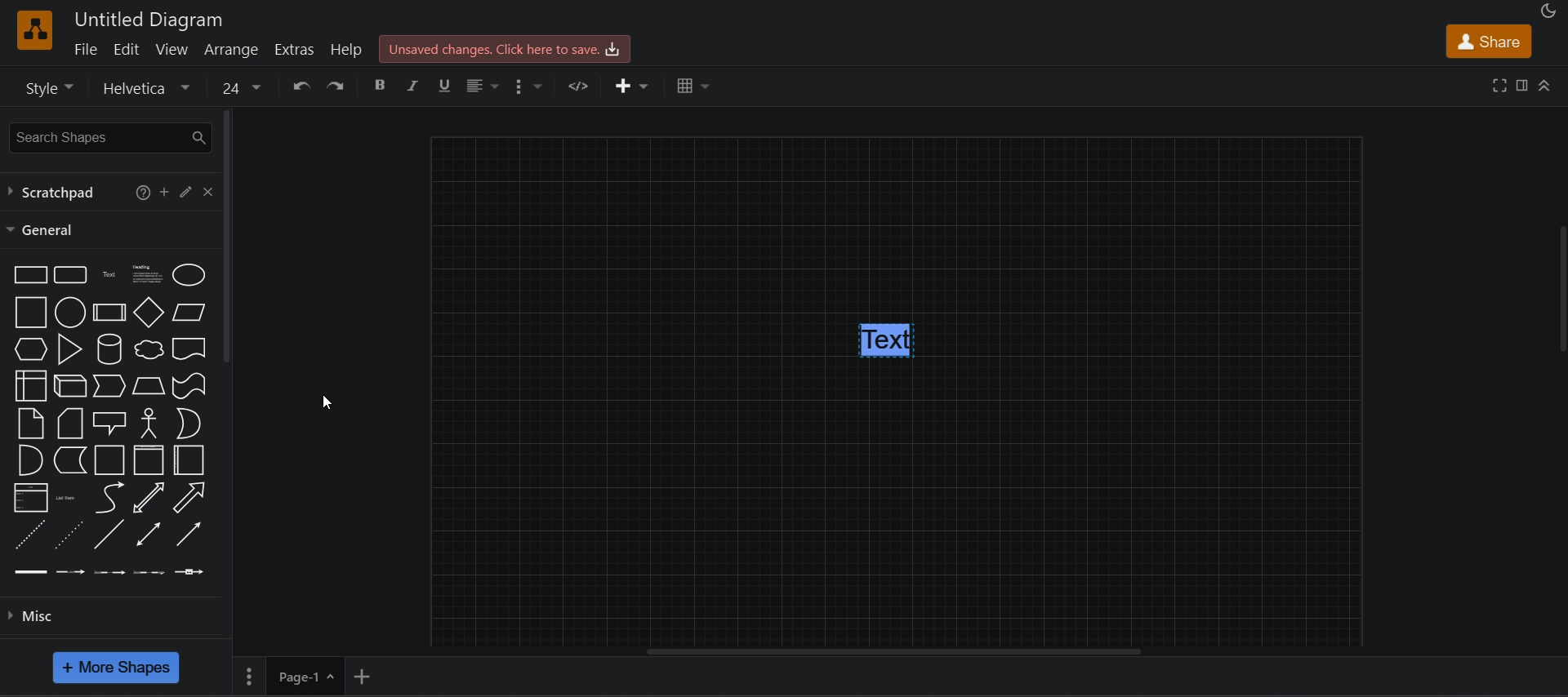  Describe the element at coordinates (329, 677) in the screenshot. I see `Page options` at that location.